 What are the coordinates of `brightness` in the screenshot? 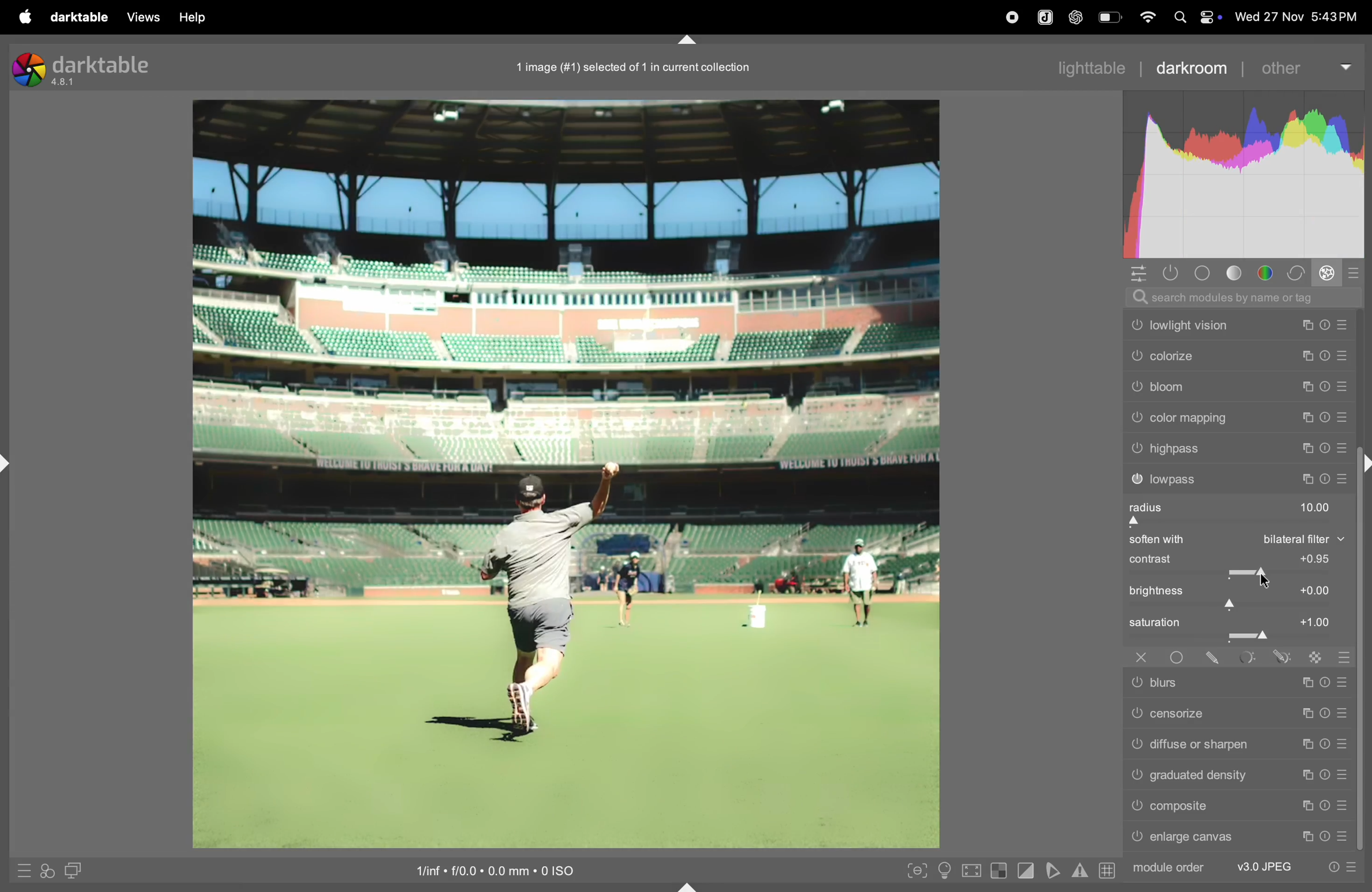 It's located at (1237, 595).